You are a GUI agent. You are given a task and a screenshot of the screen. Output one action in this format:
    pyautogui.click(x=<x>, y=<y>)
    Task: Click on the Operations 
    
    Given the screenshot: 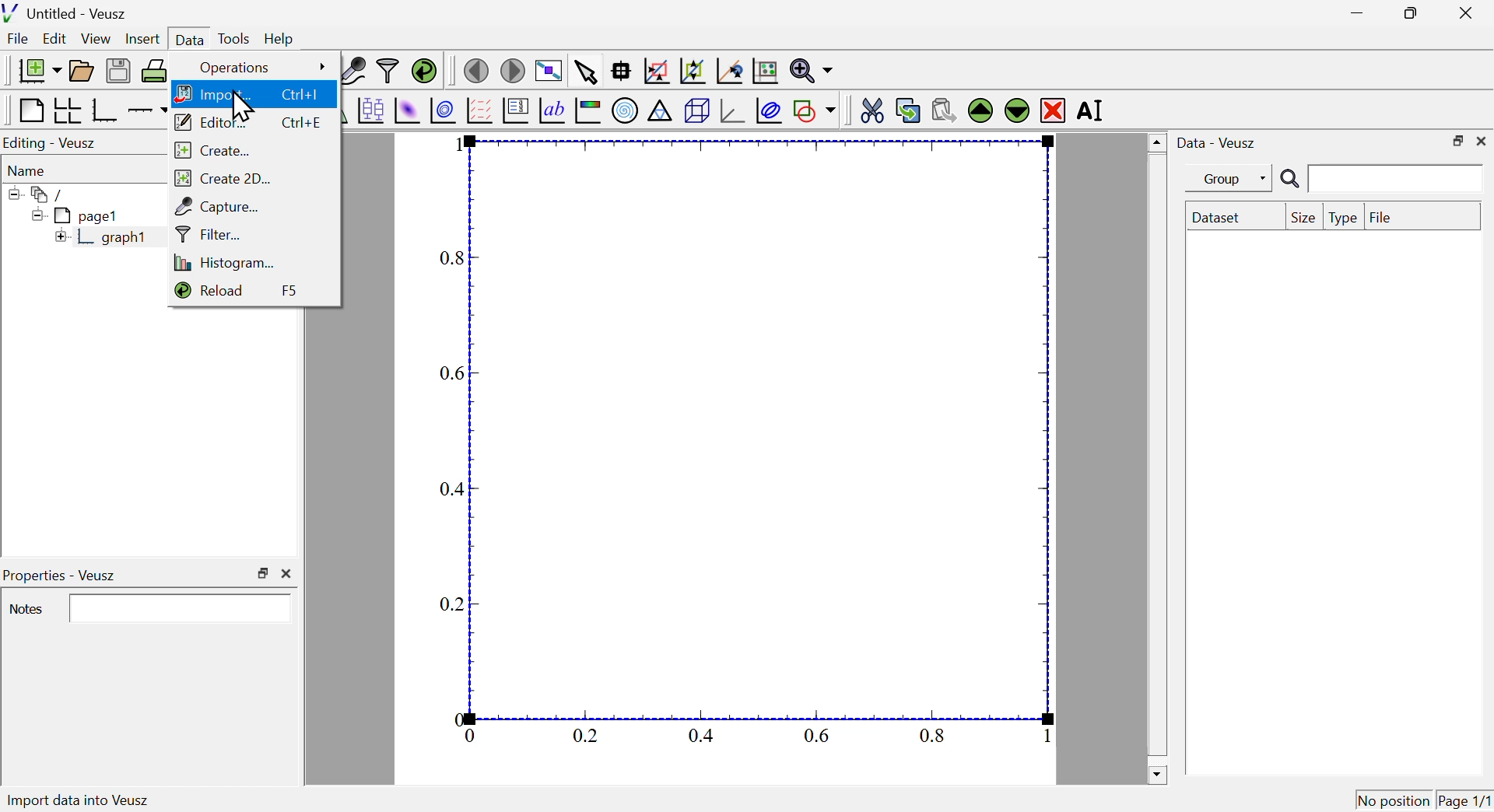 What is the action you would take?
    pyautogui.click(x=261, y=68)
    